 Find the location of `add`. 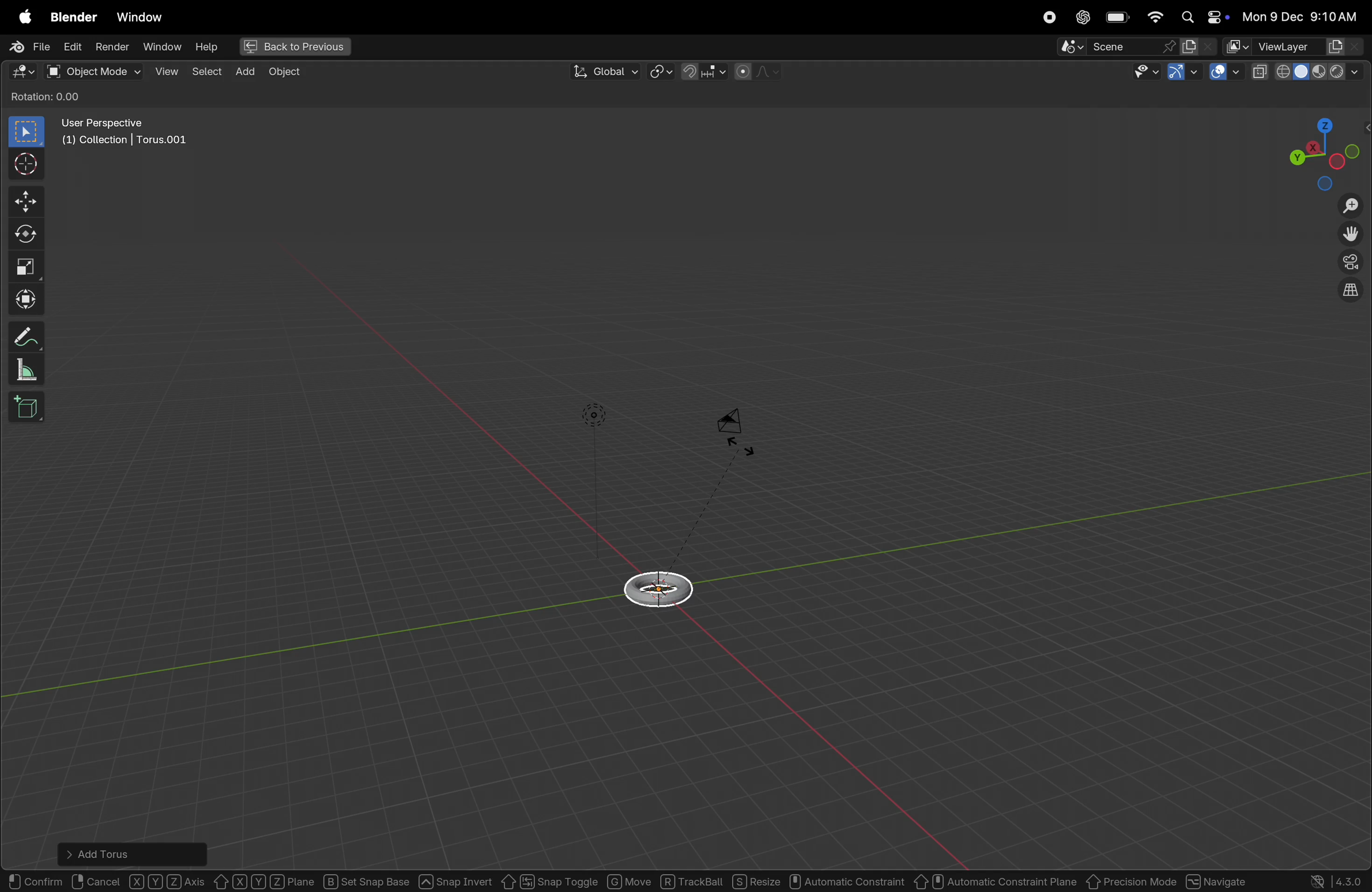

add is located at coordinates (242, 71).